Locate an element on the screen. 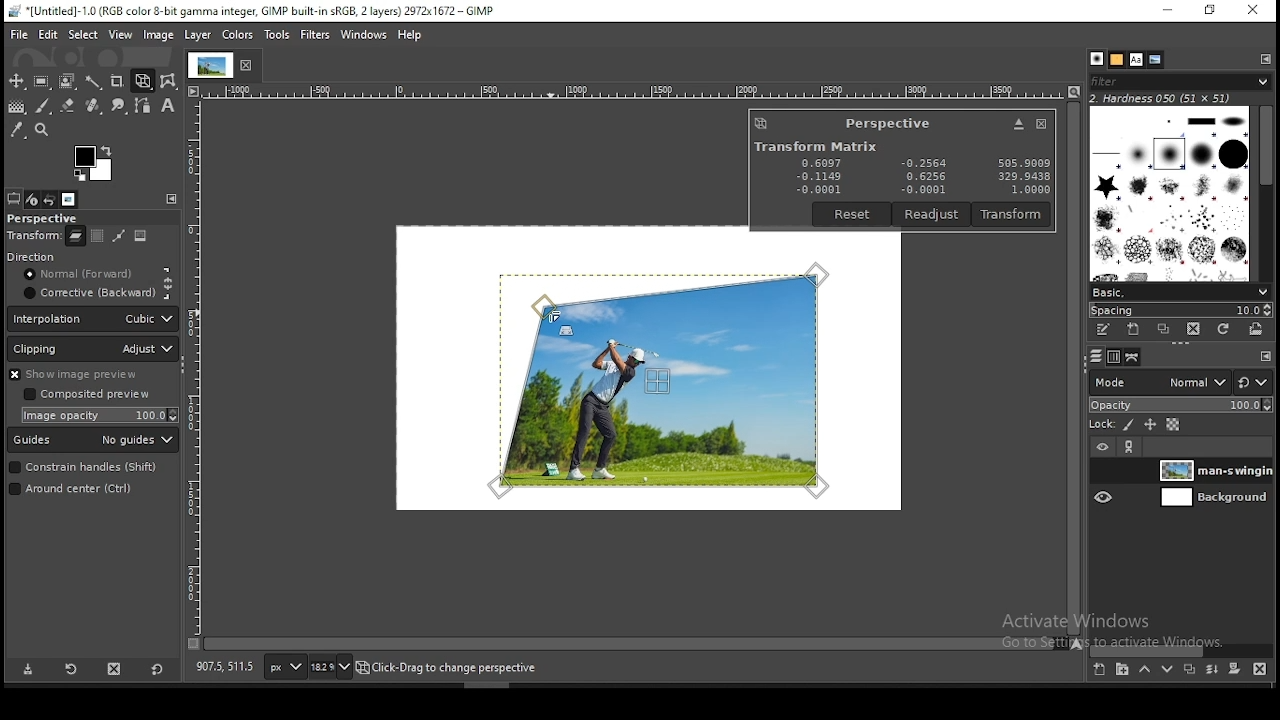 The width and height of the screenshot is (1280, 720). *[untitled]-1.0(rgb color 8-bit gamma integer, gimp built-in sRGB, 2 layers) 2972x1672 - gimp is located at coordinates (251, 12).